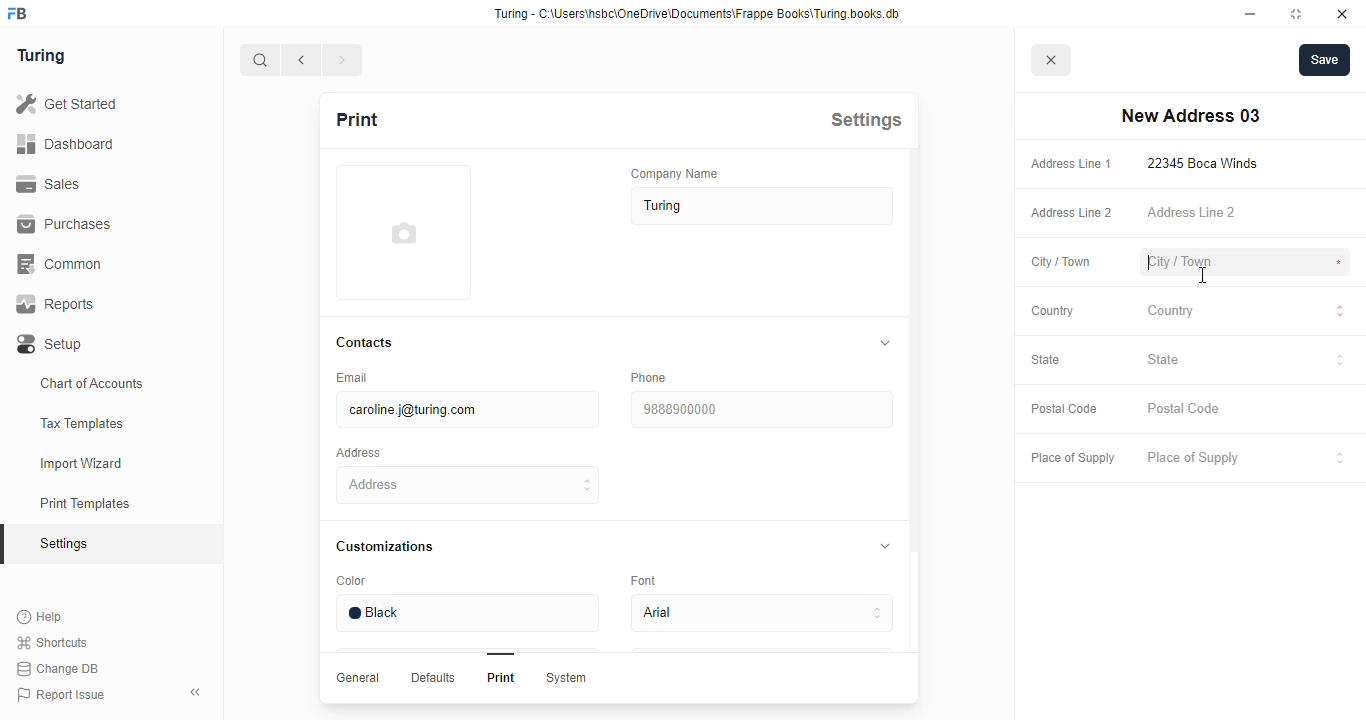  What do you see at coordinates (763, 206) in the screenshot?
I see `turing` at bounding box center [763, 206].